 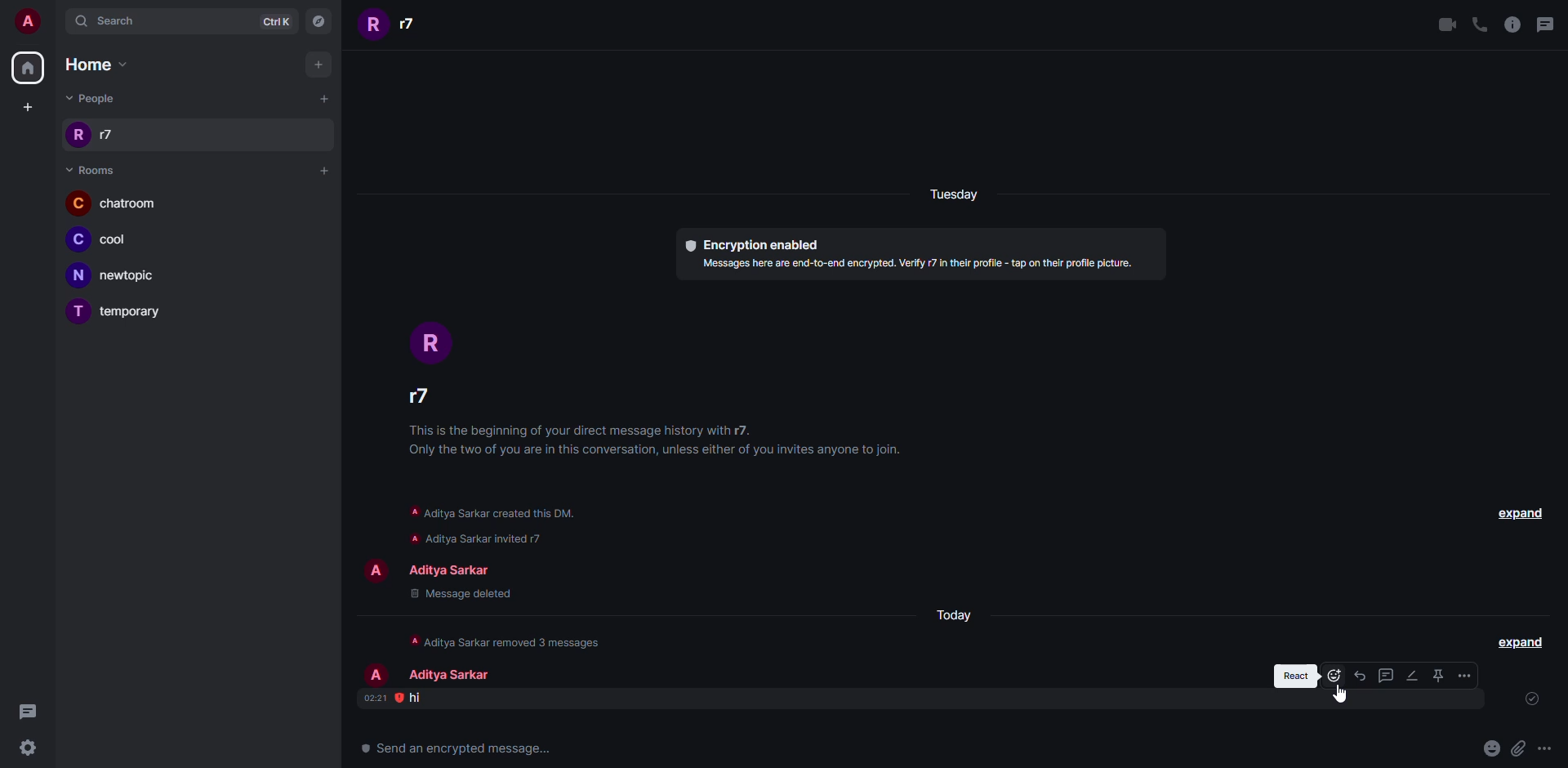 What do you see at coordinates (322, 169) in the screenshot?
I see `add` at bounding box center [322, 169].